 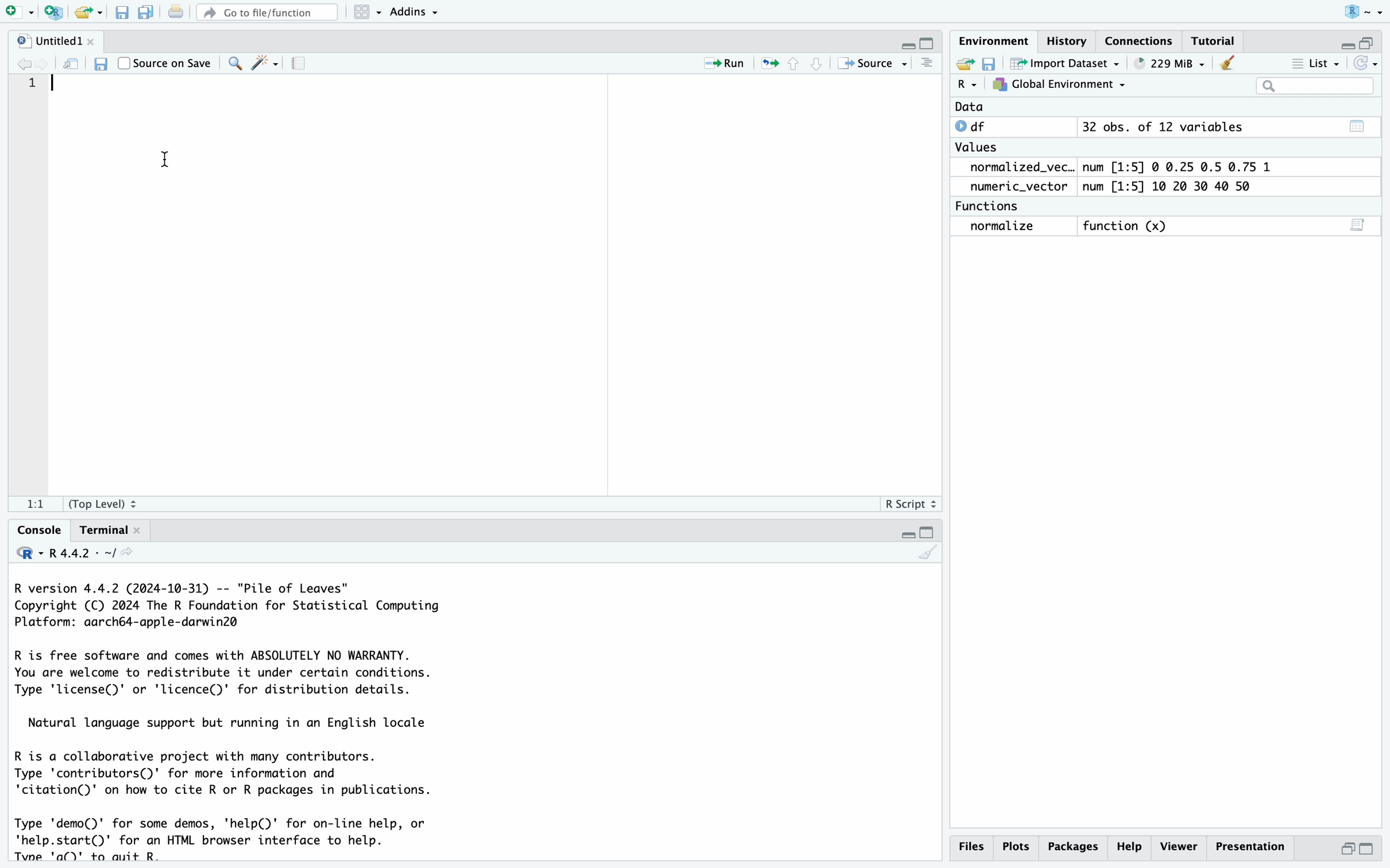 I want to click on History, so click(x=1067, y=41).